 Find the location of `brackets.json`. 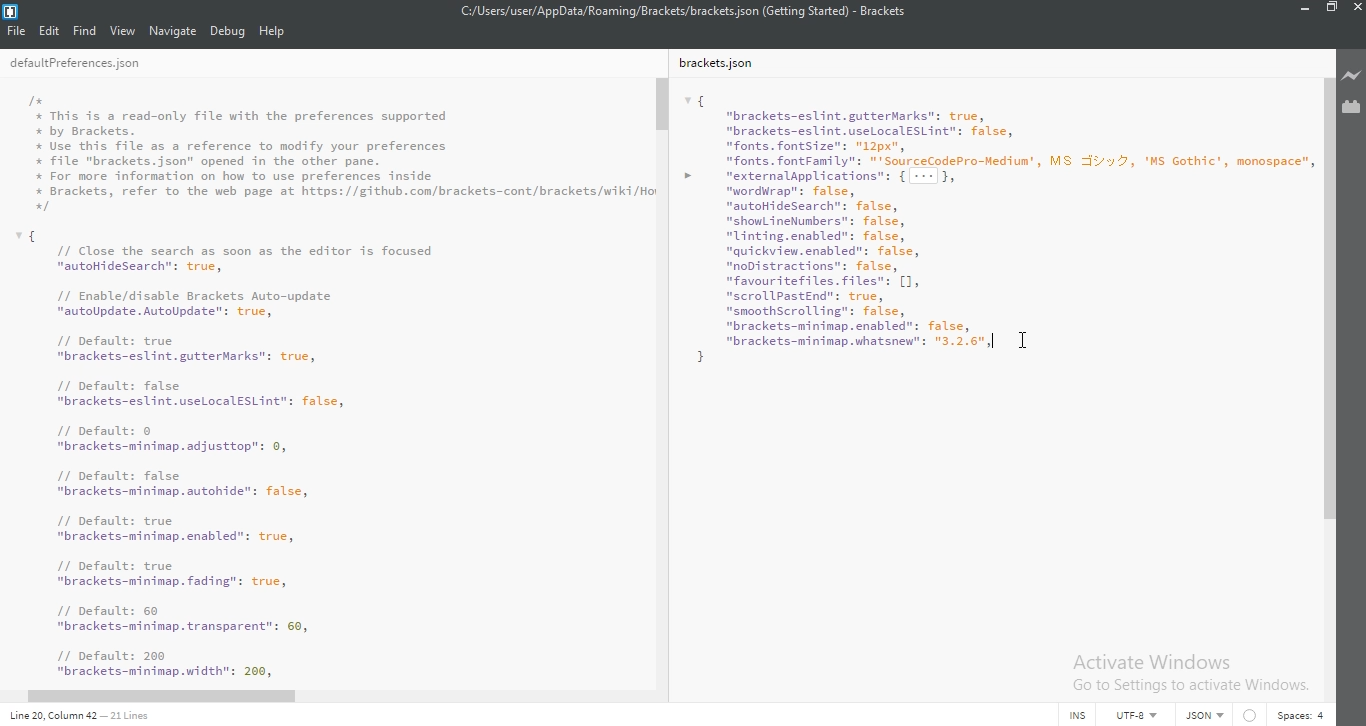

brackets.json is located at coordinates (722, 64).